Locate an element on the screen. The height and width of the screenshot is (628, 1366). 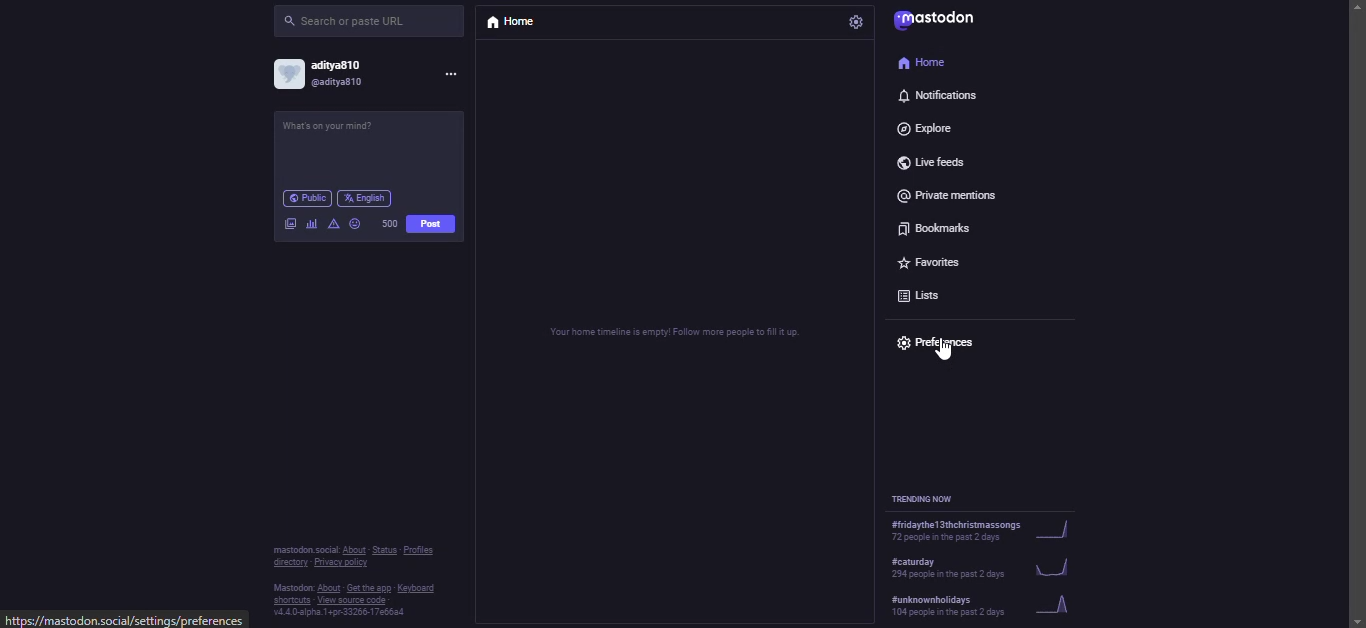
advanced is located at coordinates (333, 222).